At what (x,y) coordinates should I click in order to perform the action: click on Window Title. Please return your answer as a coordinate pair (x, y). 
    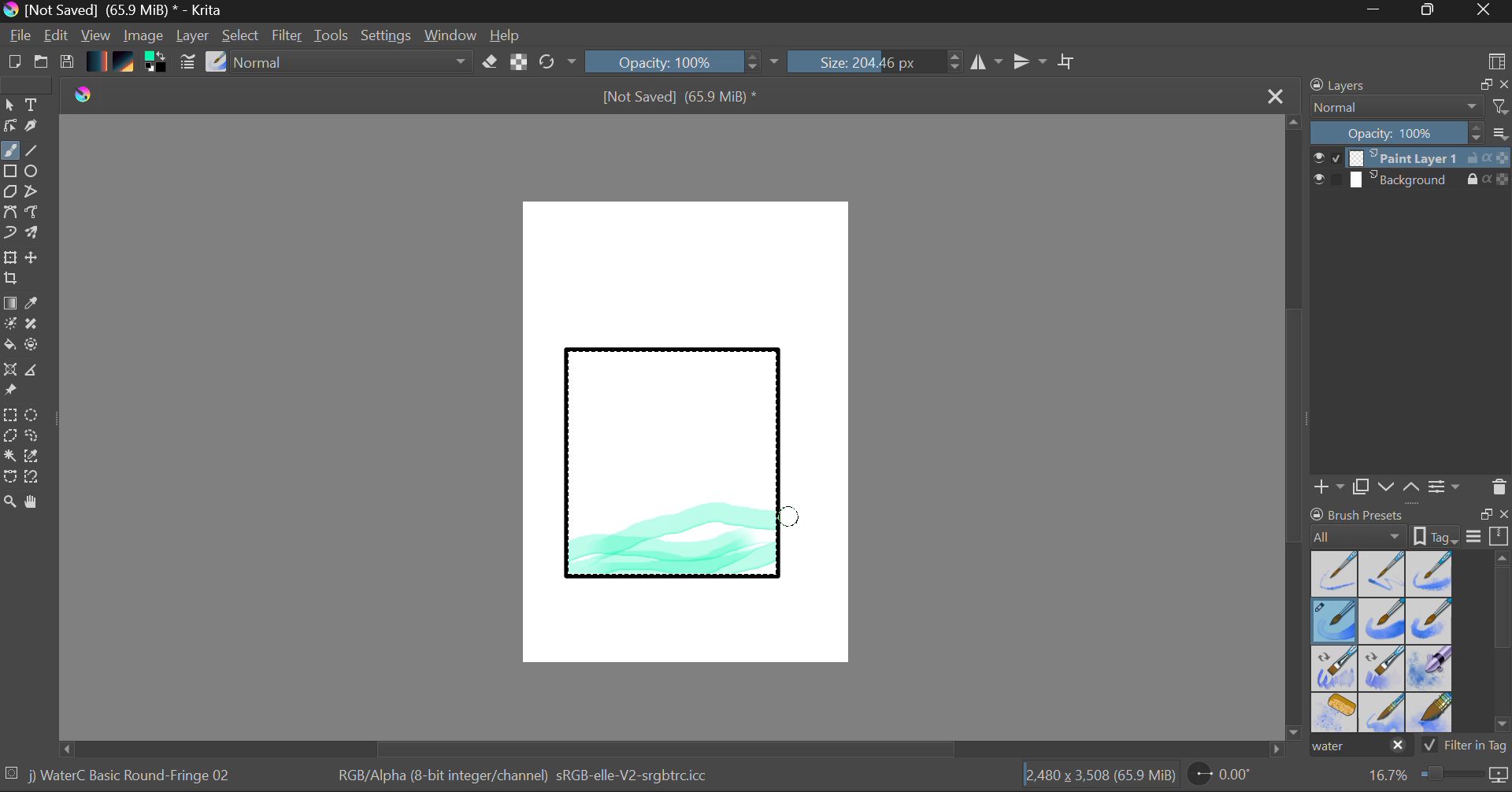
    Looking at the image, I should click on (115, 11).